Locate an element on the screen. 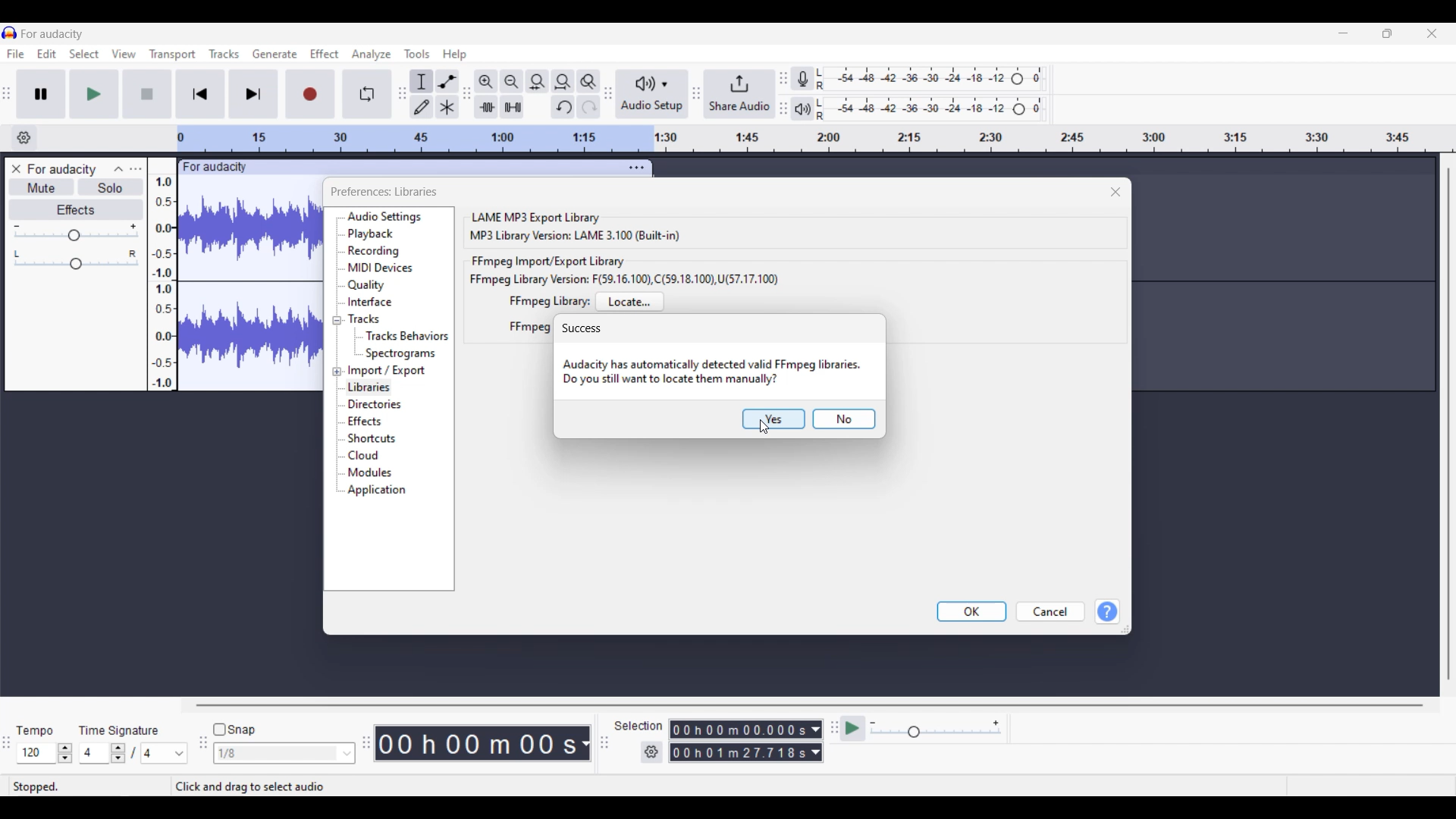 The width and height of the screenshot is (1456, 819). FFmpeg library is located at coordinates (549, 301).